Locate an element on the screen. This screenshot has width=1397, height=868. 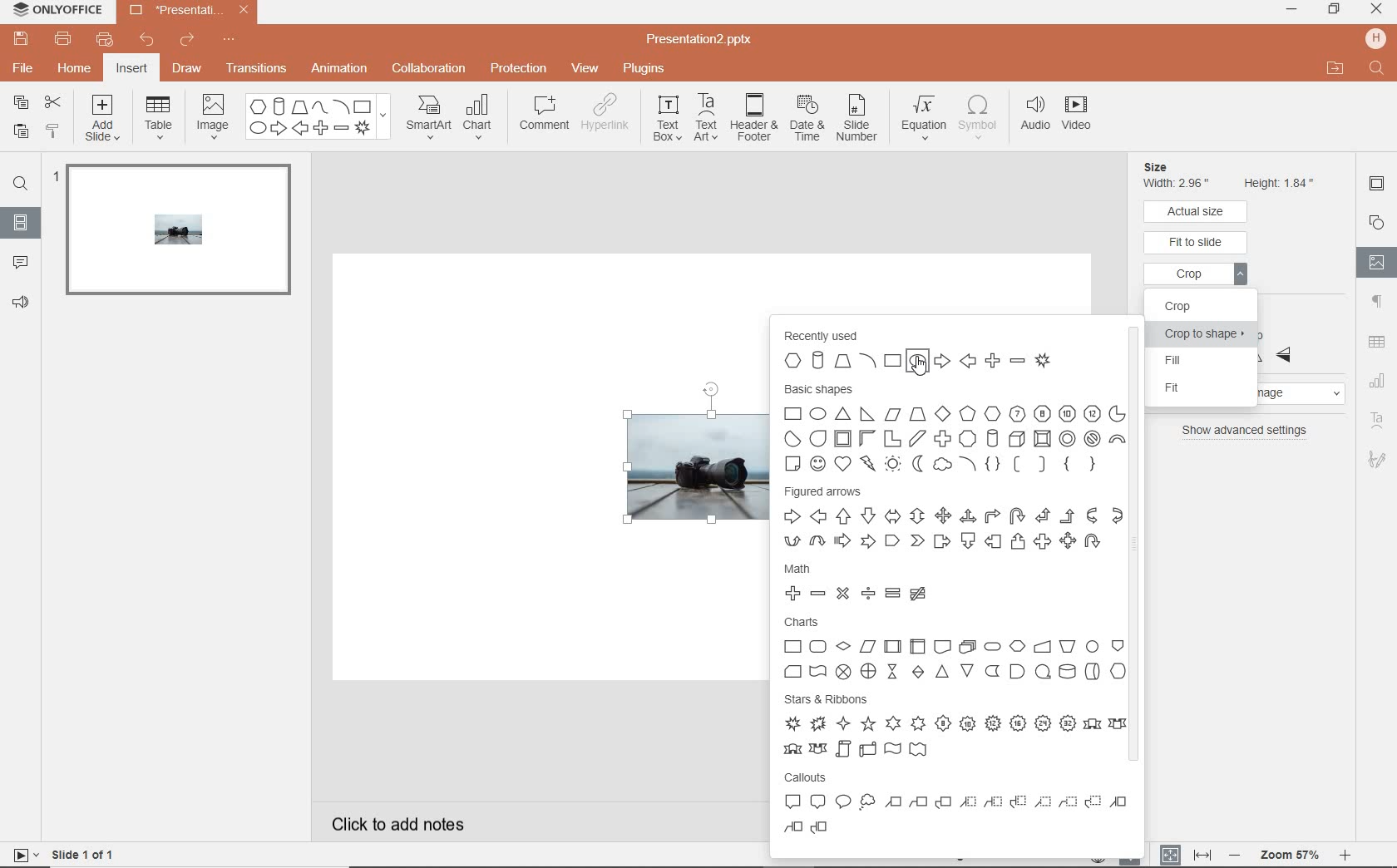
fit is located at coordinates (1213, 389).